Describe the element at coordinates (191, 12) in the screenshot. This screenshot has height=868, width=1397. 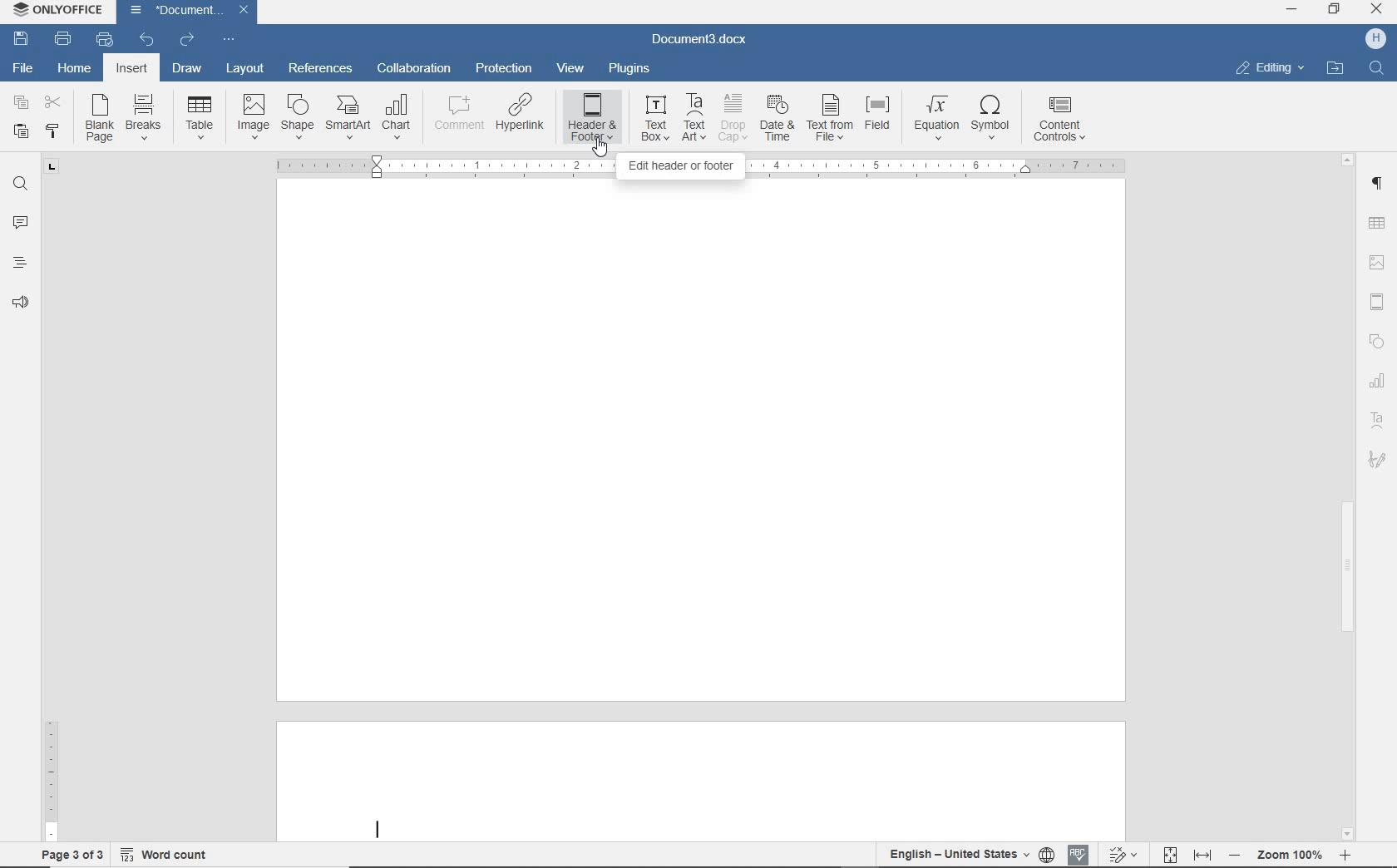
I see `DOCUMENT` at that location.